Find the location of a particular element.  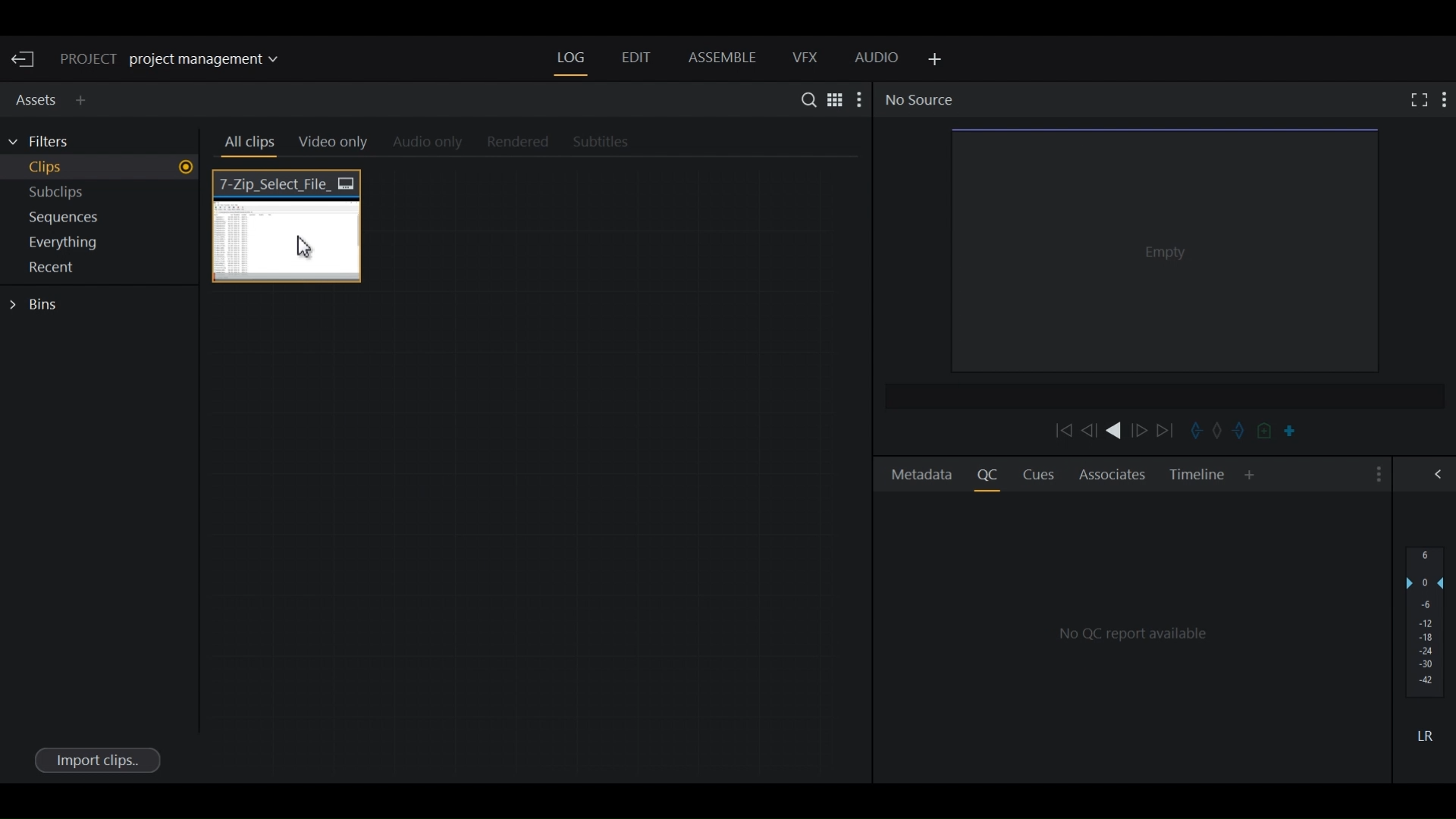

Move Forward is located at coordinates (1170, 431).